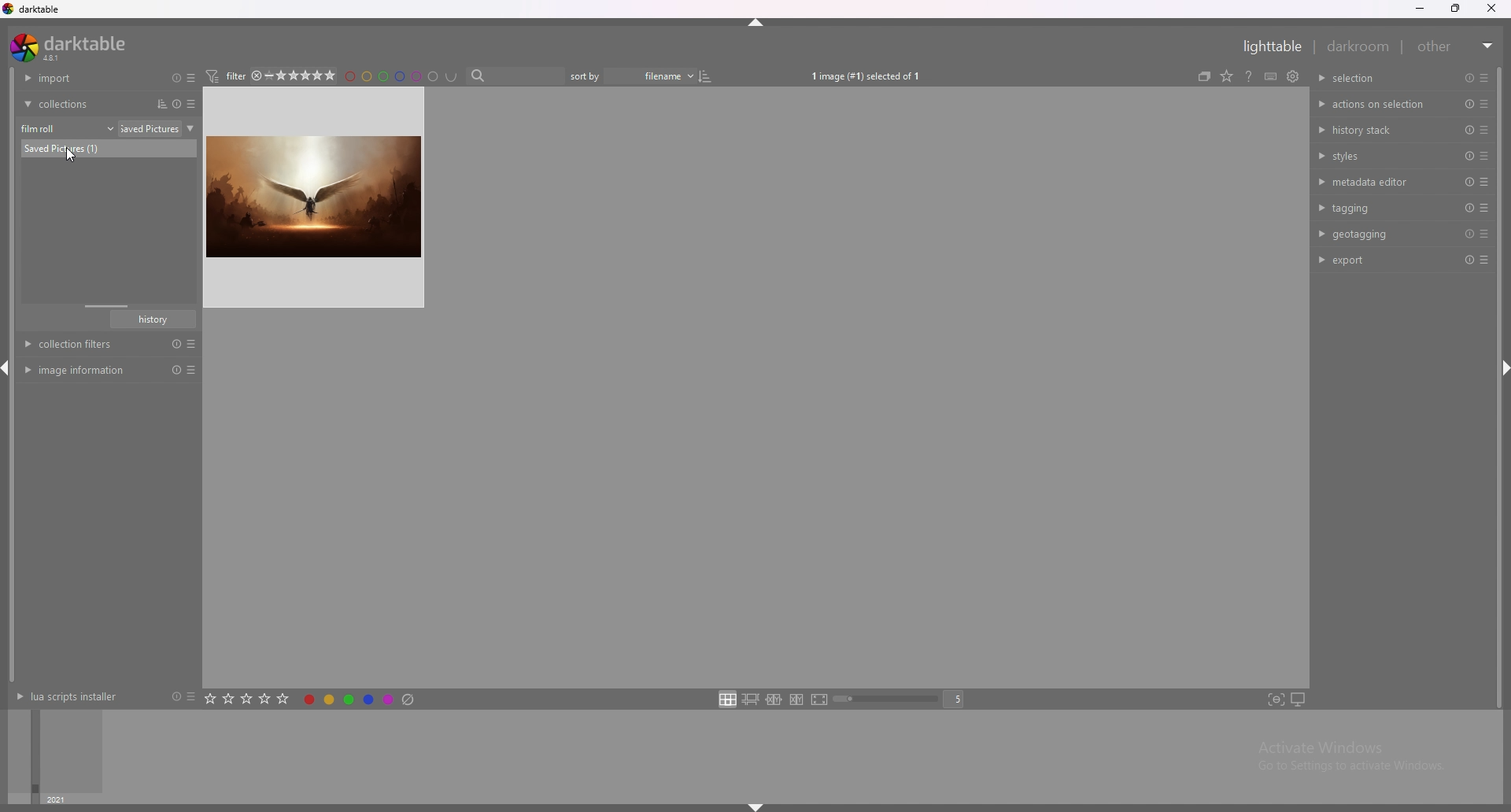  I want to click on search bar, so click(519, 76).